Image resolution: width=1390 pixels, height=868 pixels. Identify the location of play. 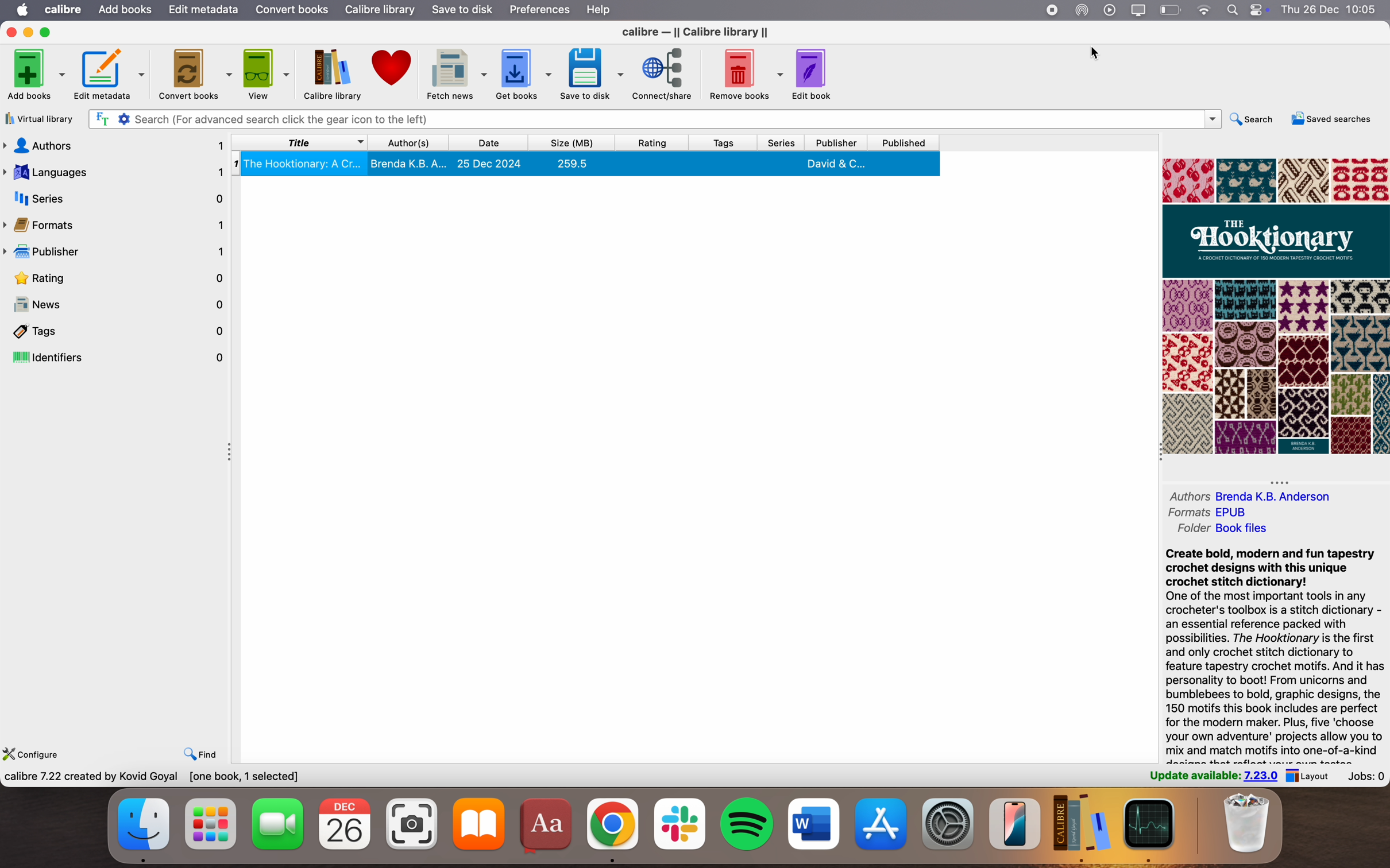
(1110, 10).